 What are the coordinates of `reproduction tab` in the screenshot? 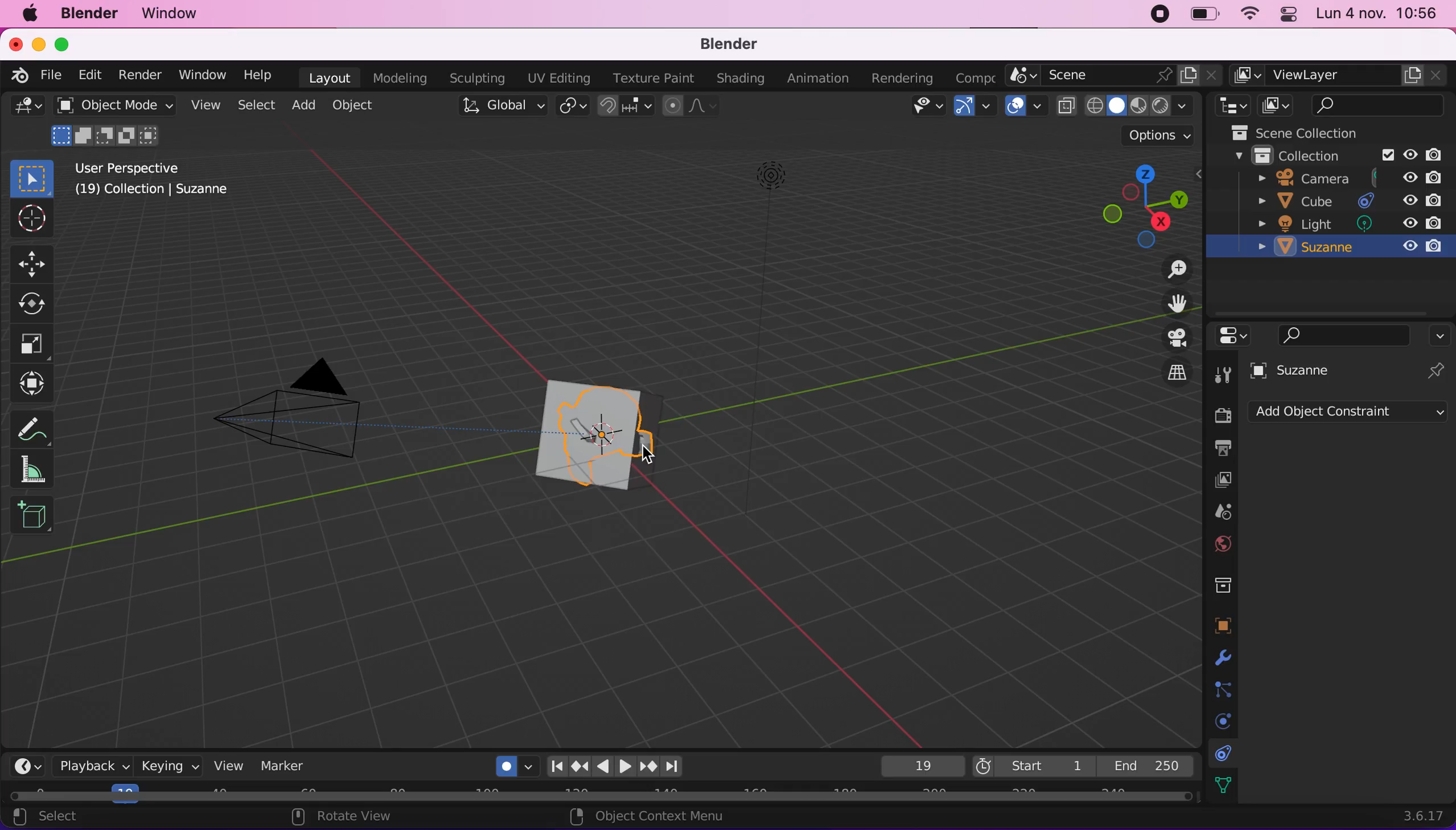 It's located at (631, 764).